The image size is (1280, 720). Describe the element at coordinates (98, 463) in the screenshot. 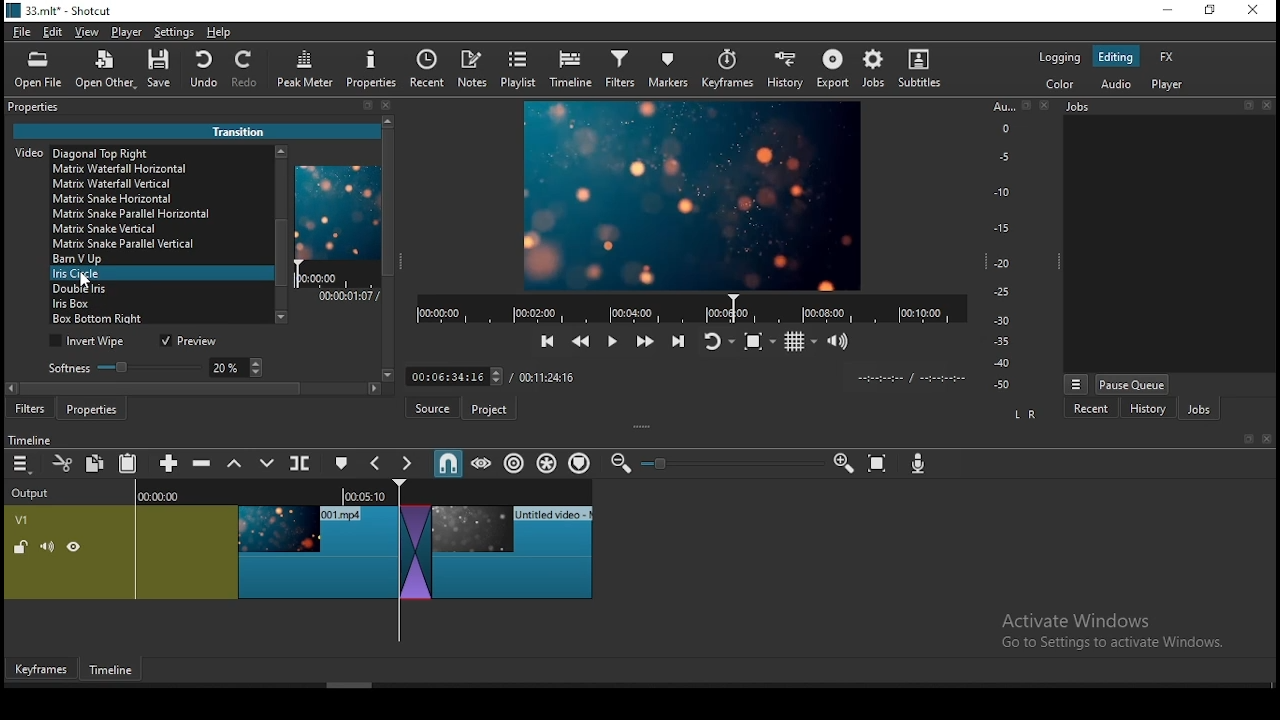

I see `copy` at that location.